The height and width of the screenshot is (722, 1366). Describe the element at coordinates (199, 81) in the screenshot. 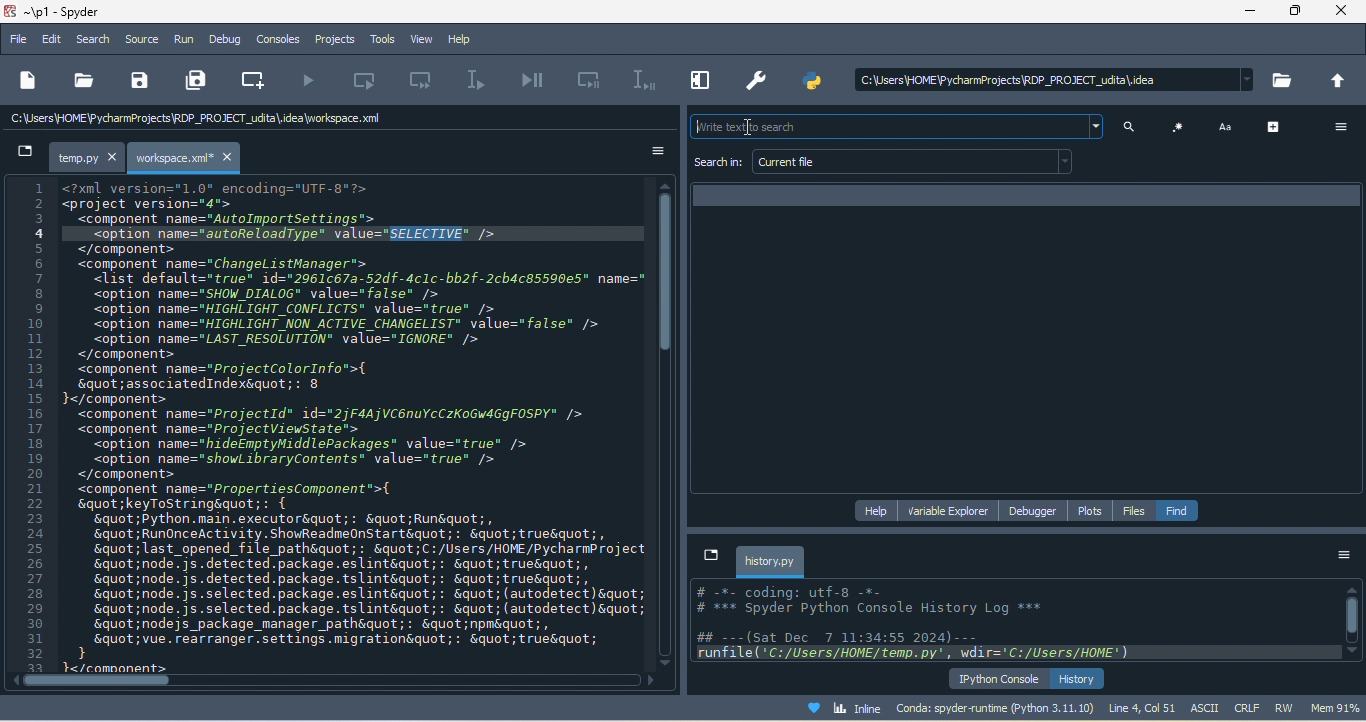

I see `save all` at that location.